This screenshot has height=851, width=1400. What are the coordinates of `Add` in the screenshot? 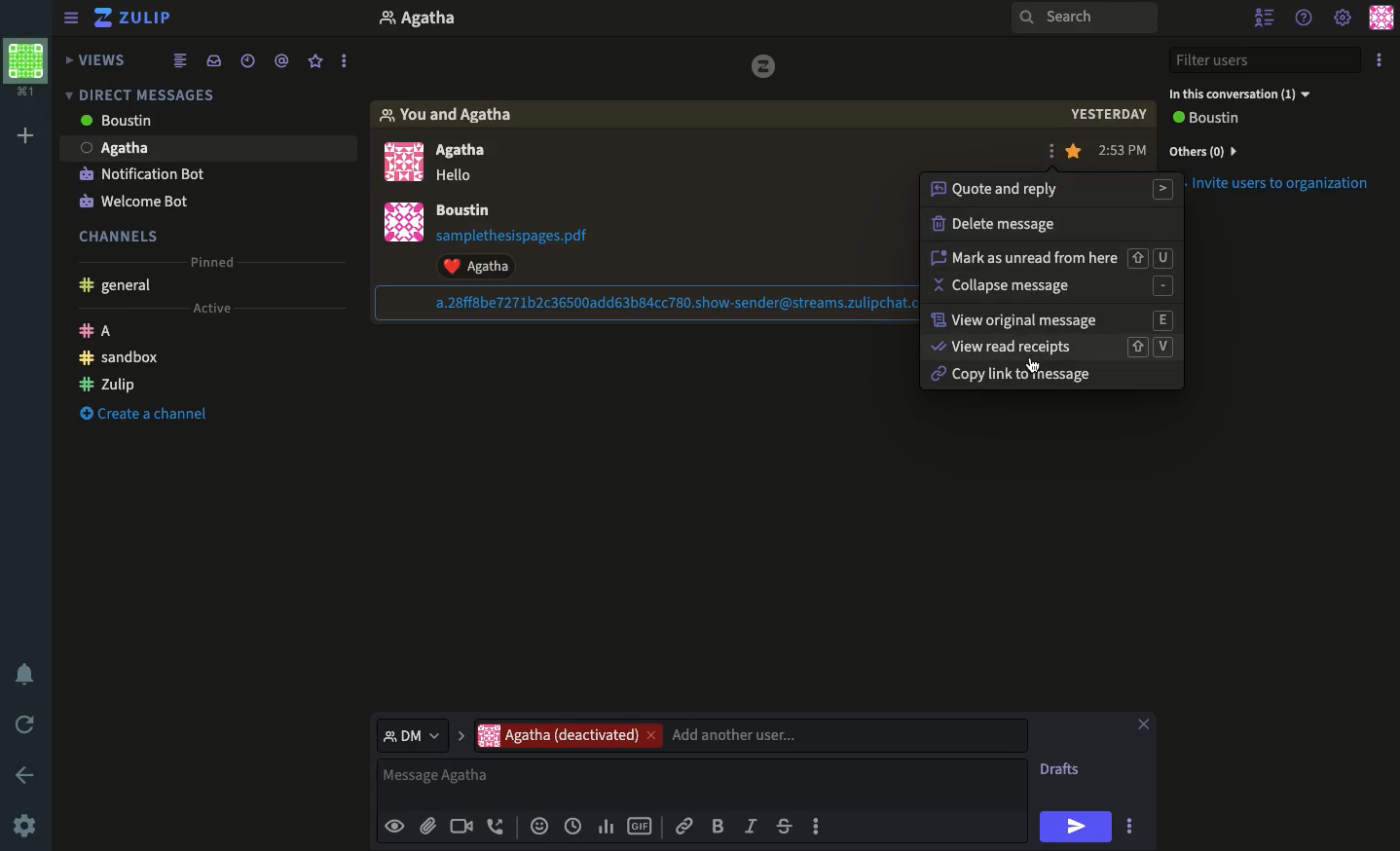 It's located at (25, 138).